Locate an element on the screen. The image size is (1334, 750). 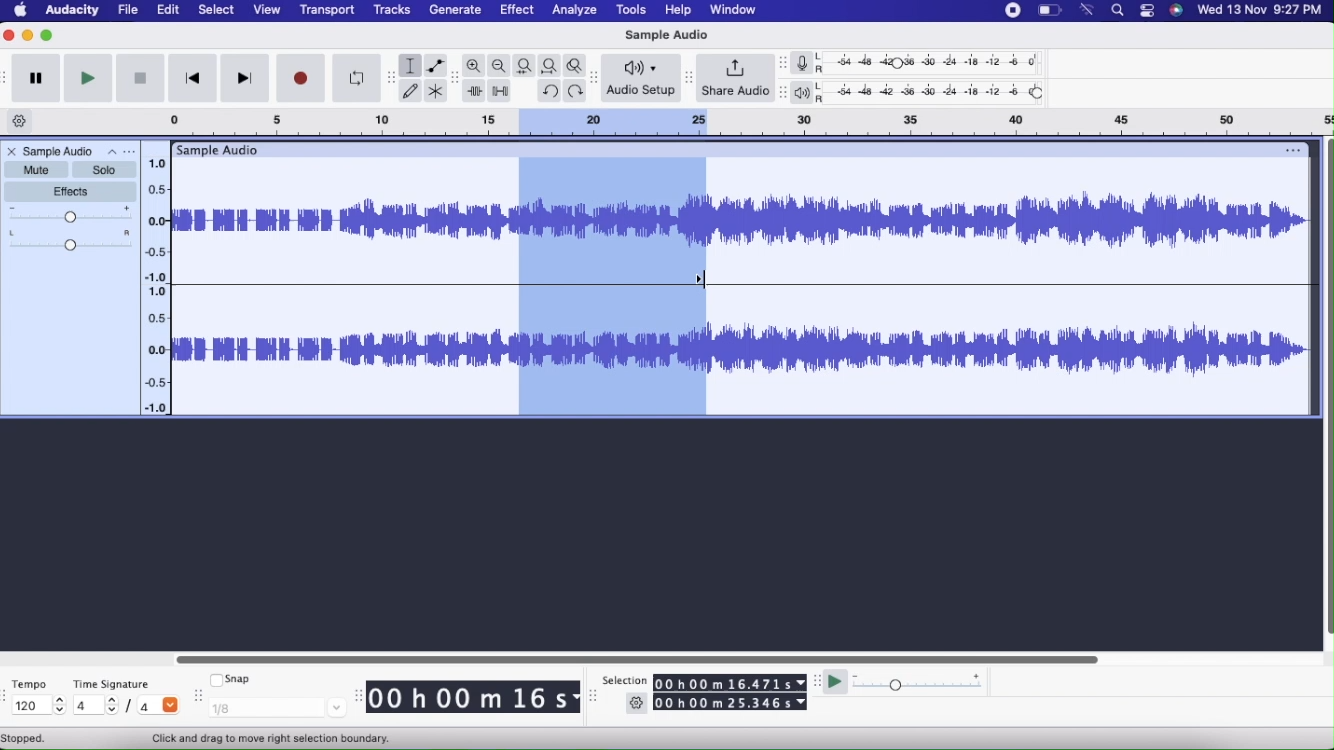
move toolbar is located at coordinates (691, 77).